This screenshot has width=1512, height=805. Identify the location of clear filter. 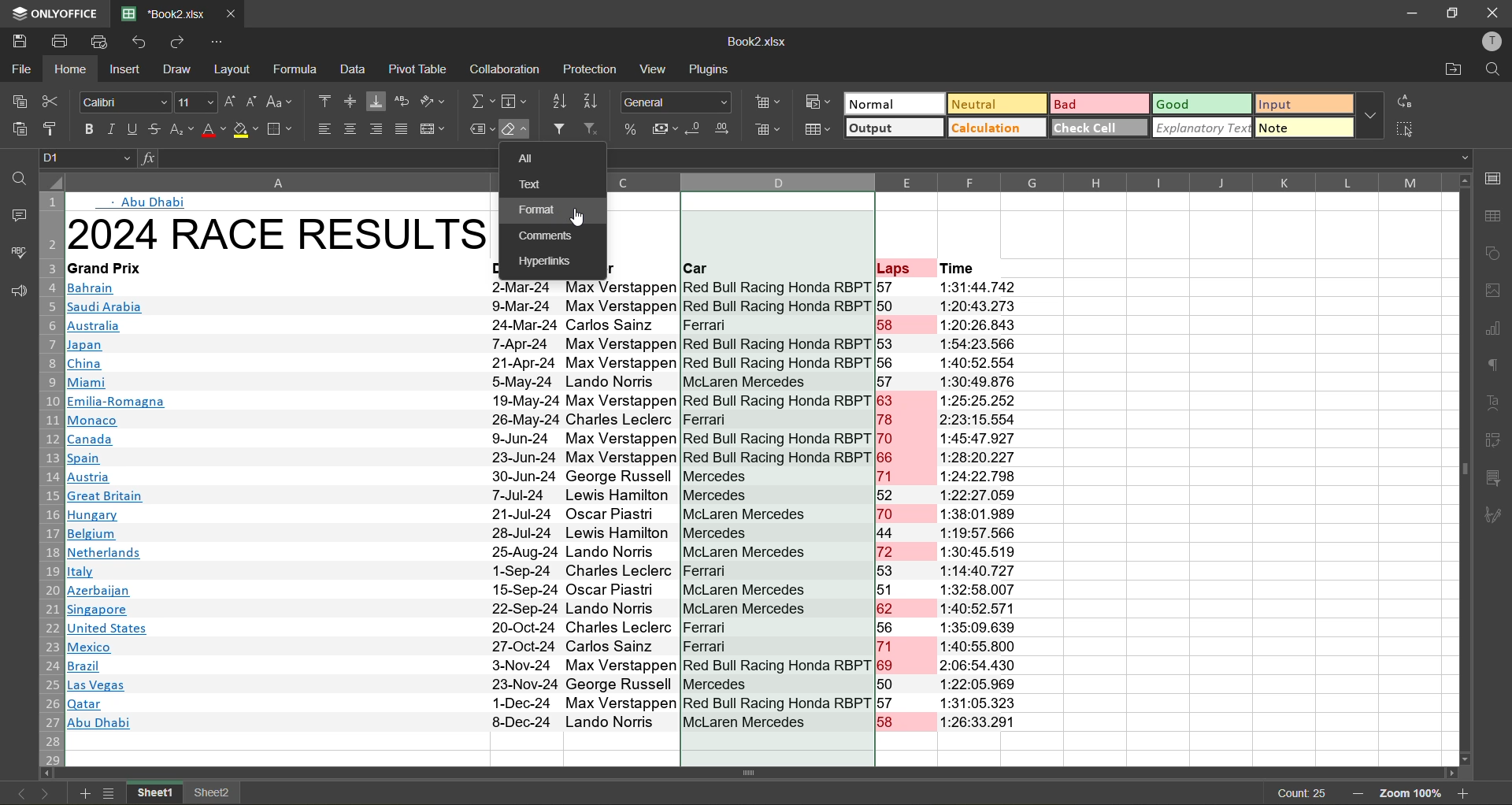
(592, 129).